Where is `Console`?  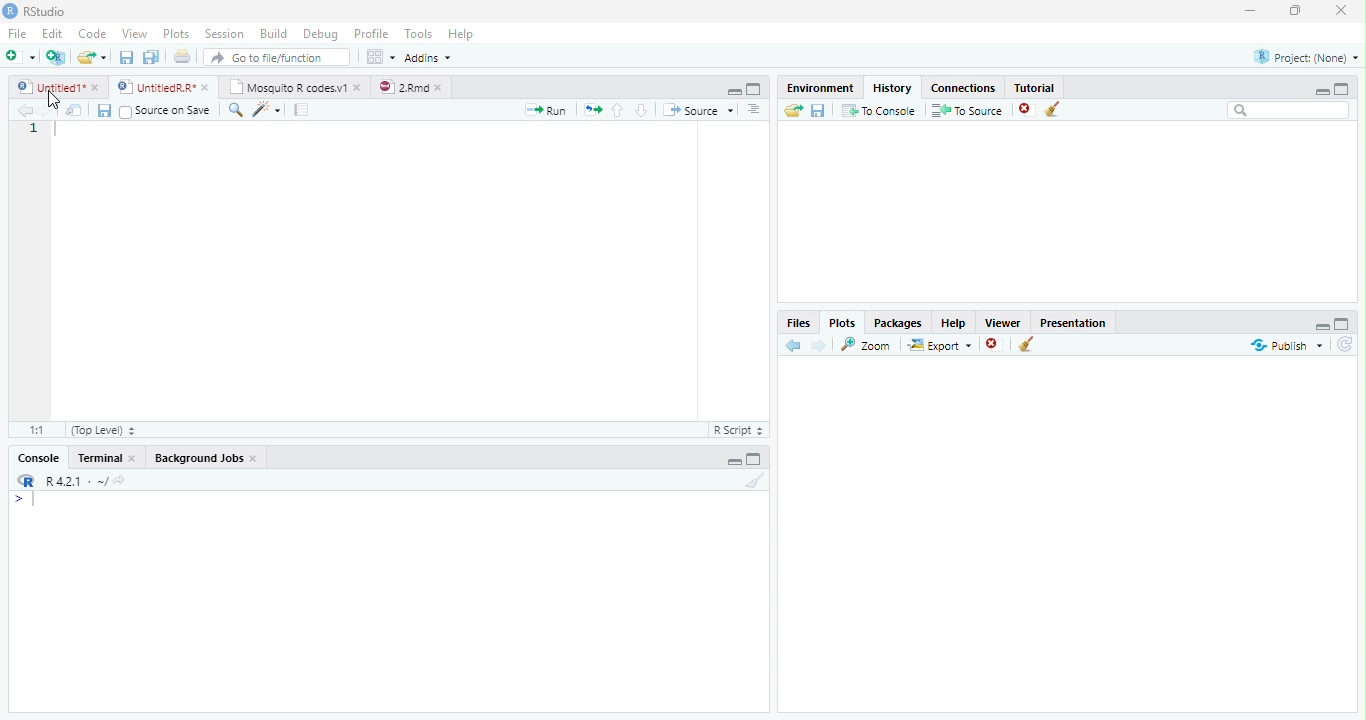 Console is located at coordinates (38, 457).